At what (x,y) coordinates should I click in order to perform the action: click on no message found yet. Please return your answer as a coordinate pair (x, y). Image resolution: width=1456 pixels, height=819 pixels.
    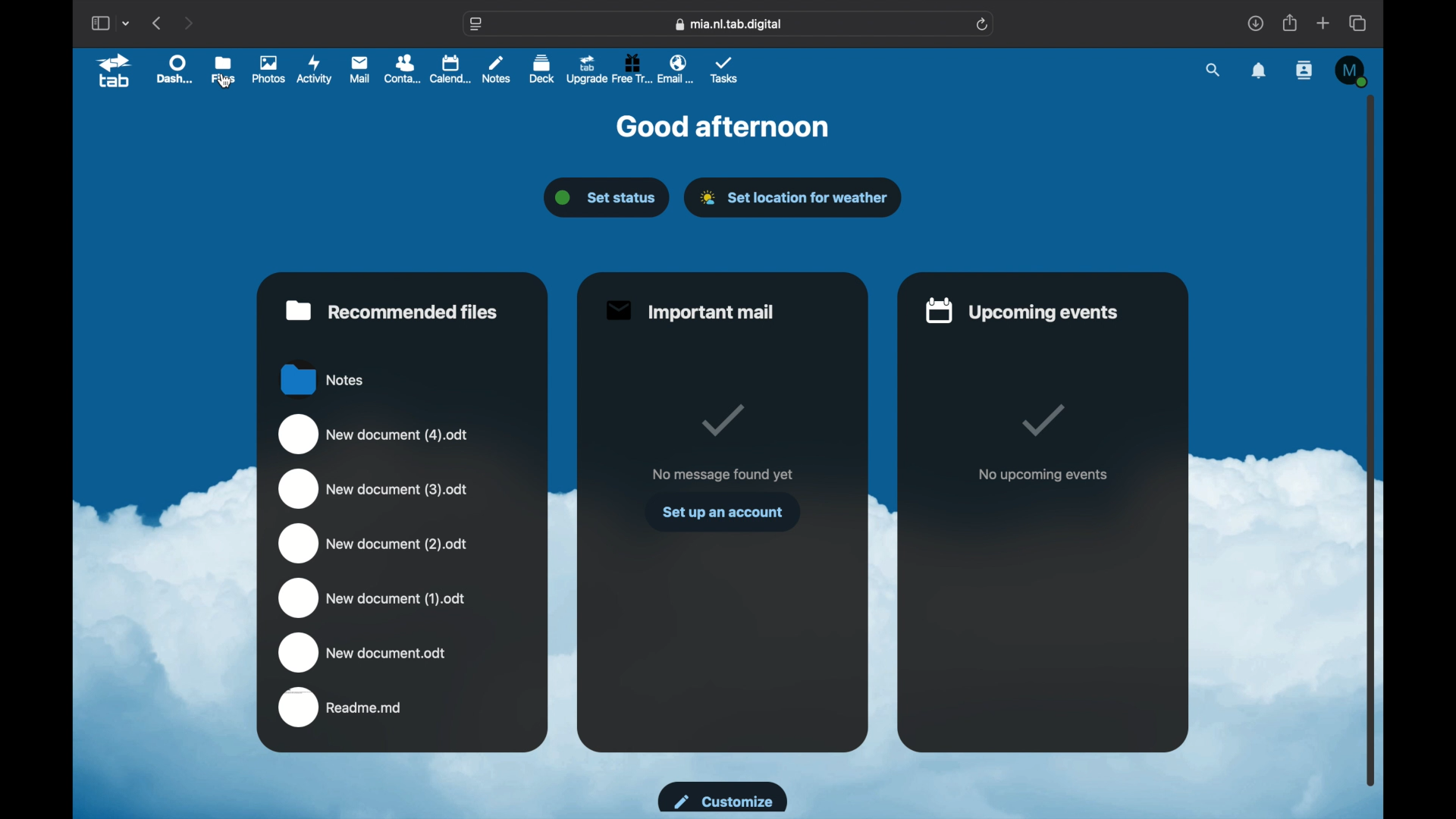
    Looking at the image, I should click on (724, 474).